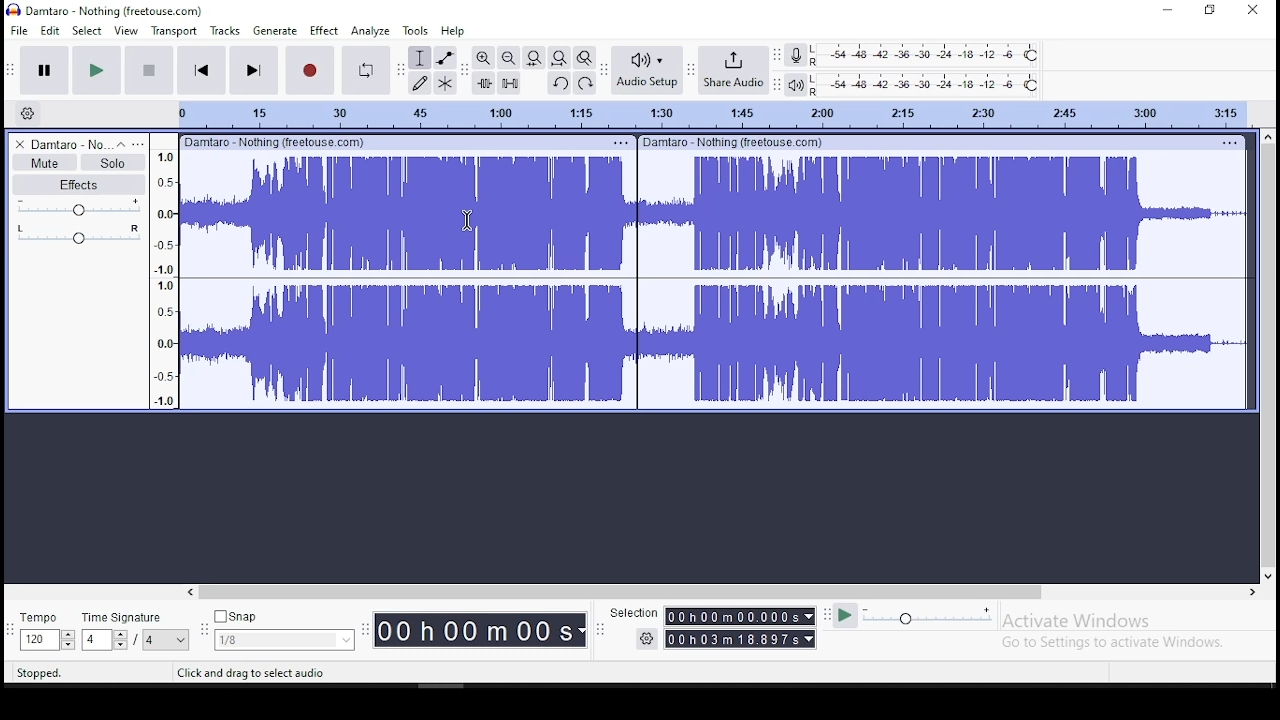 The image size is (1280, 720). Describe the element at coordinates (417, 83) in the screenshot. I see `draw tool` at that location.